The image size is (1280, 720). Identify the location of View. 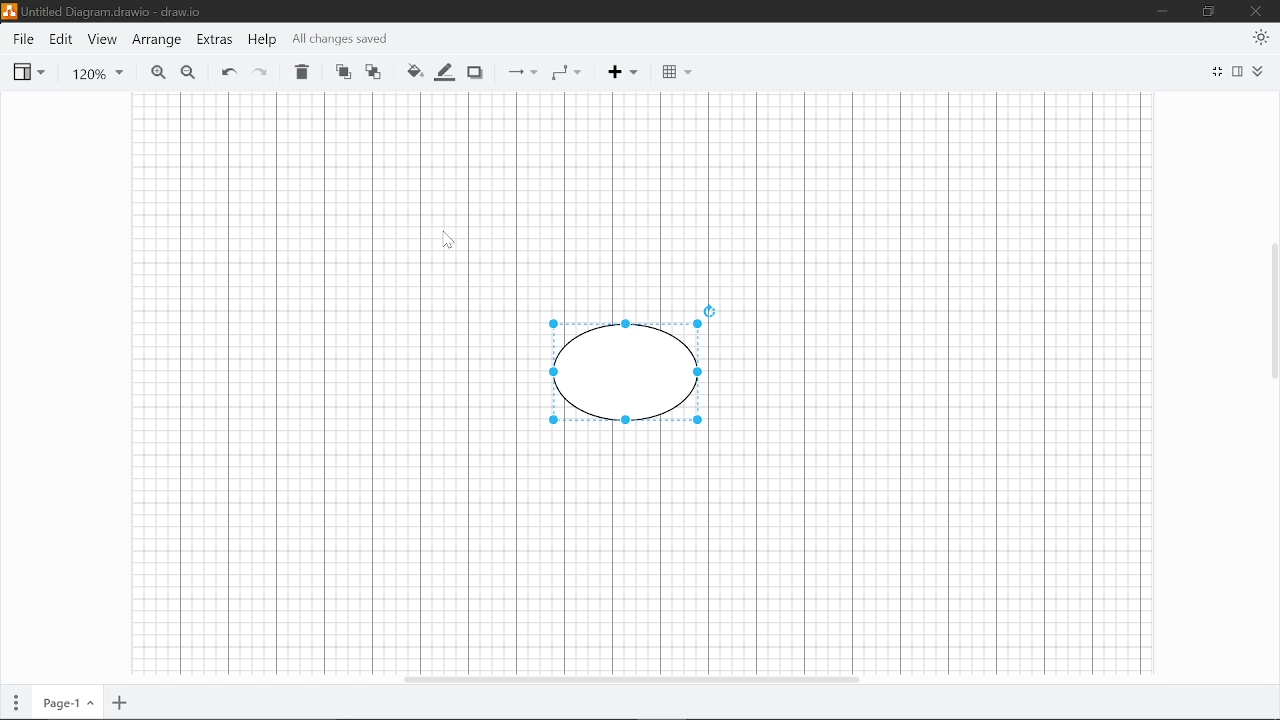
(102, 40).